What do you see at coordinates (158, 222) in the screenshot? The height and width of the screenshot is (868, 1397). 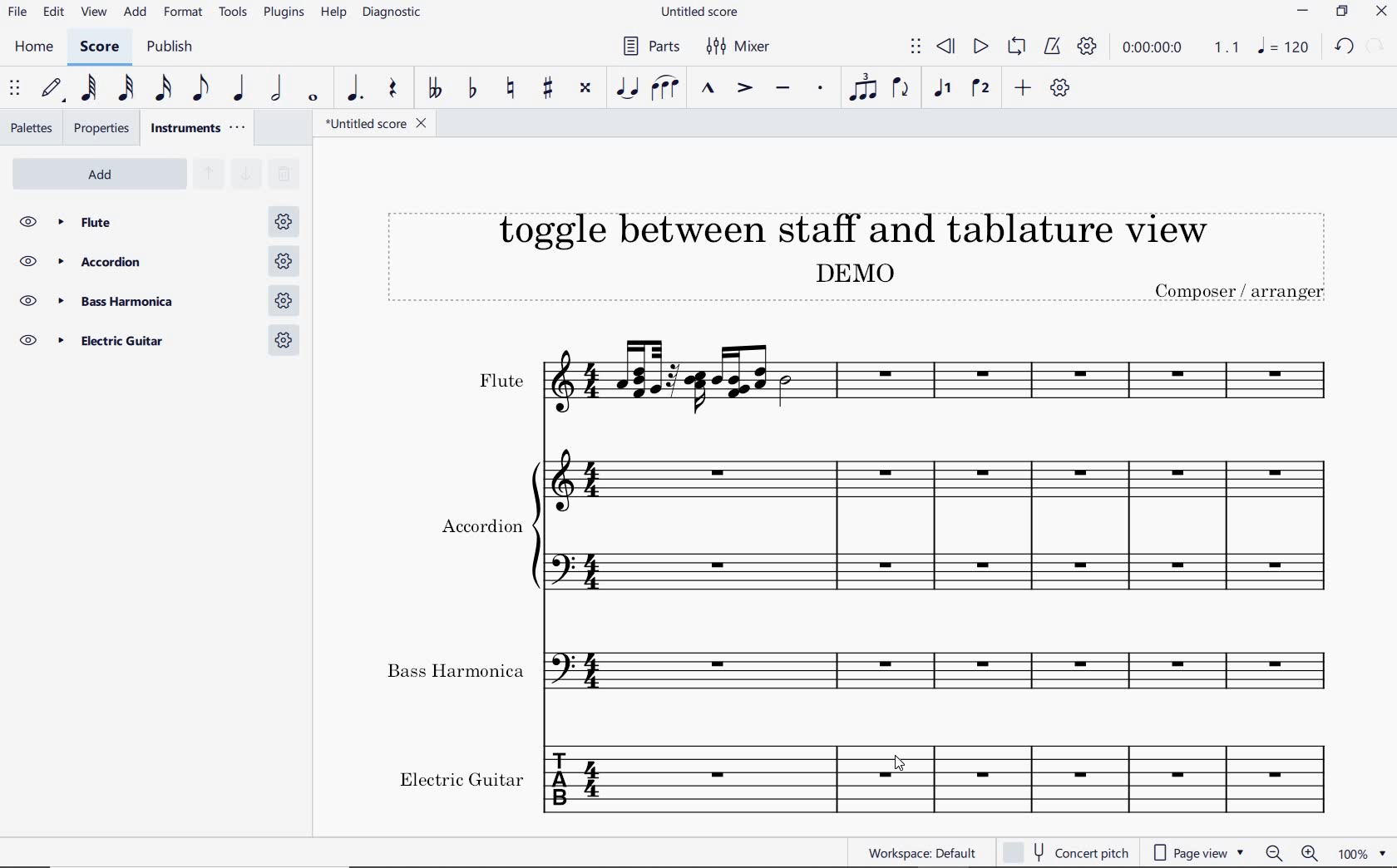 I see `Flute` at bounding box center [158, 222].